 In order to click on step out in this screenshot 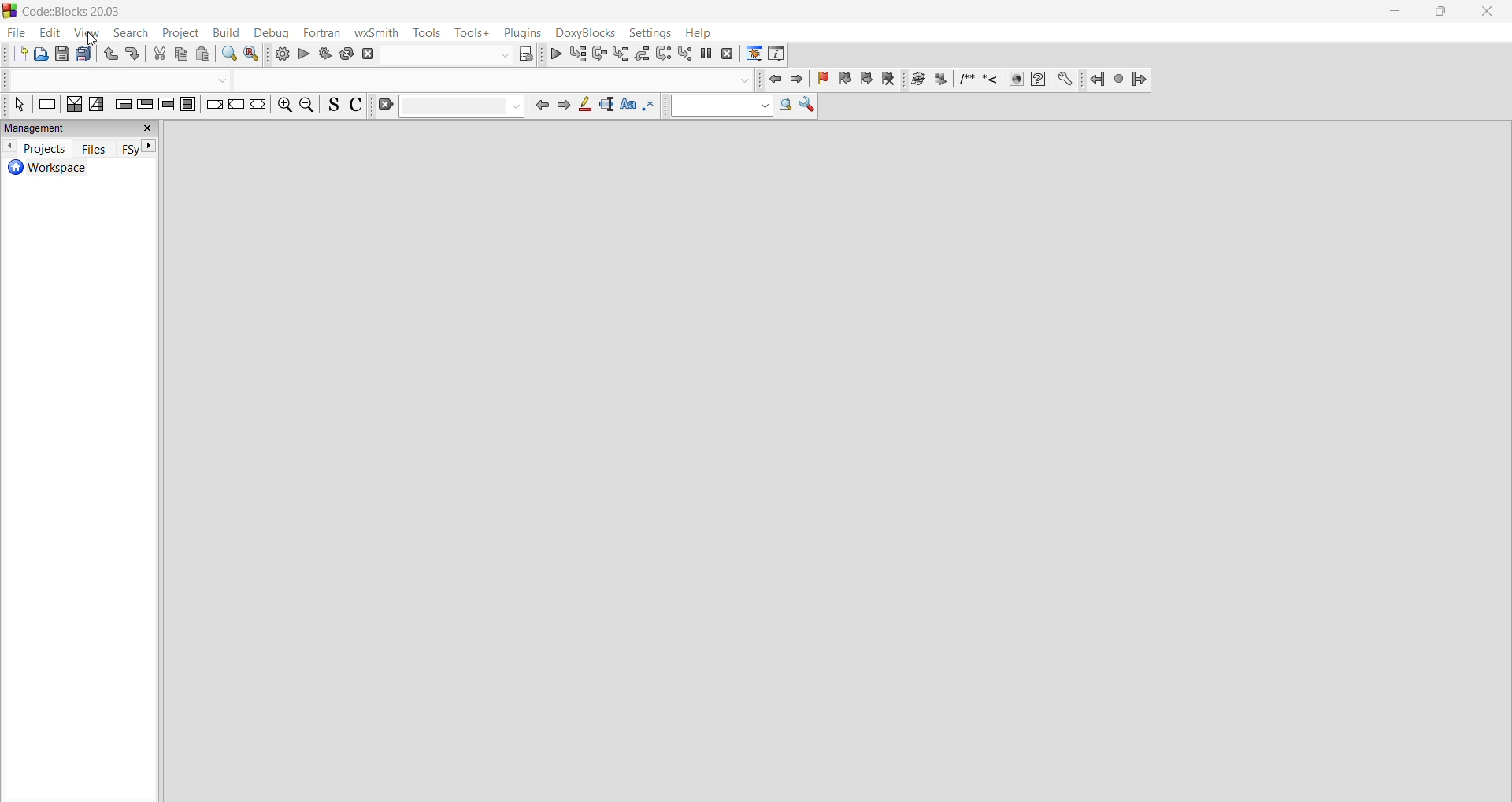, I will do `click(643, 56)`.